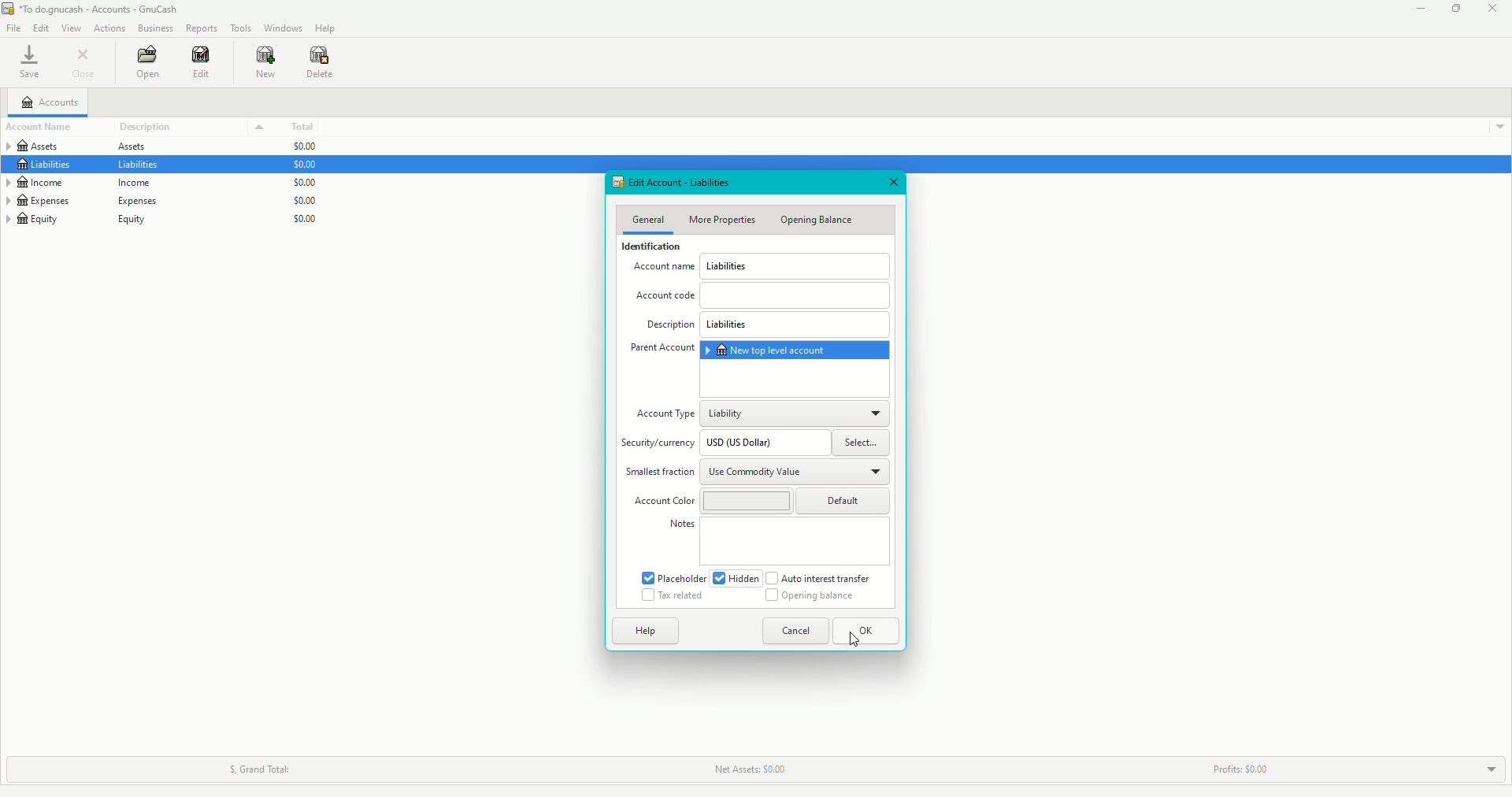 Image resolution: width=1512 pixels, height=797 pixels. I want to click on Close, so click(892, 182).